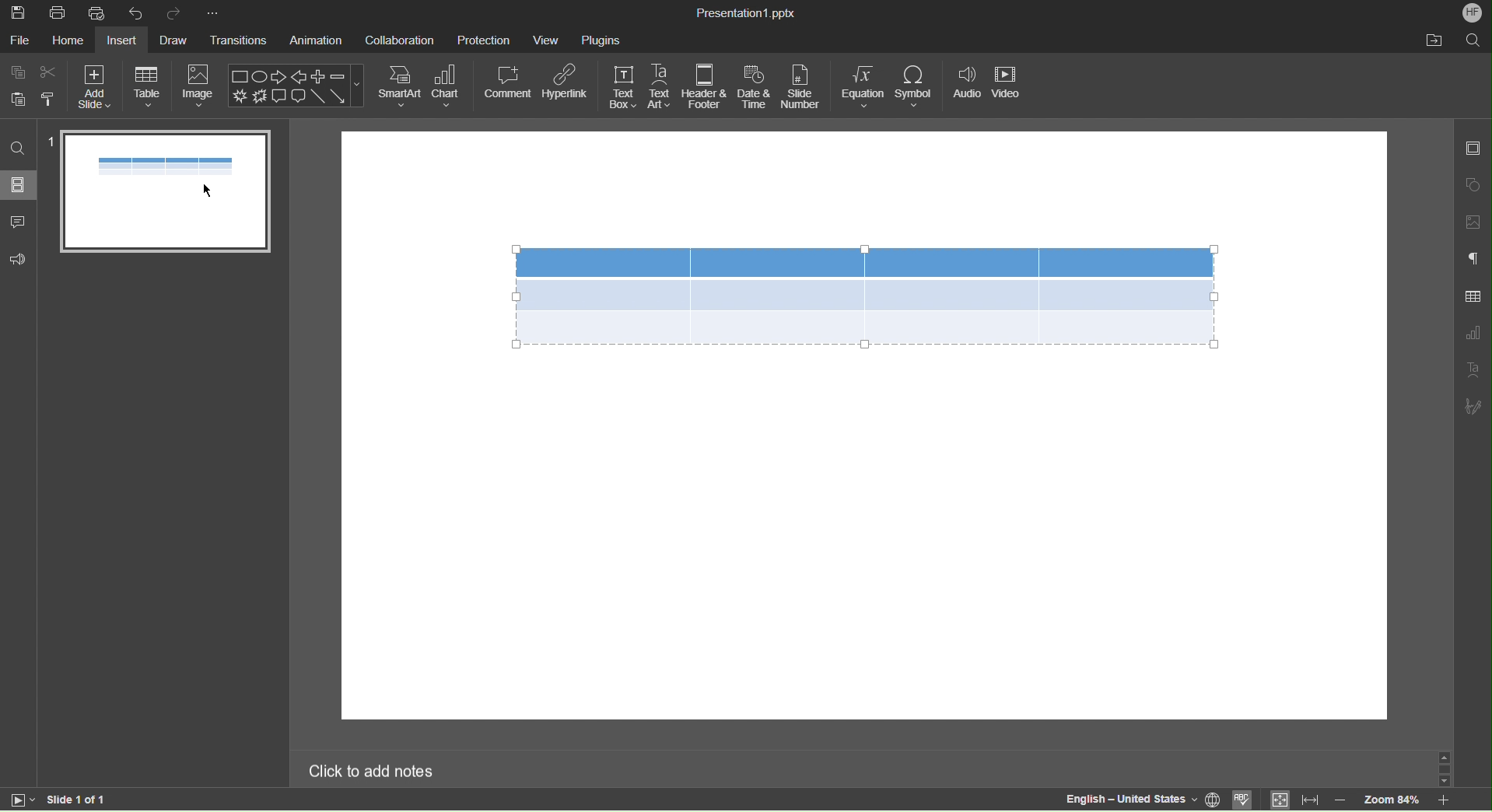 Image resolution: width=1492 pixels, height=812 pixels. Describe the element at coordinates (1473, 220) in the screenshot. I see `Image Settings` at that location.